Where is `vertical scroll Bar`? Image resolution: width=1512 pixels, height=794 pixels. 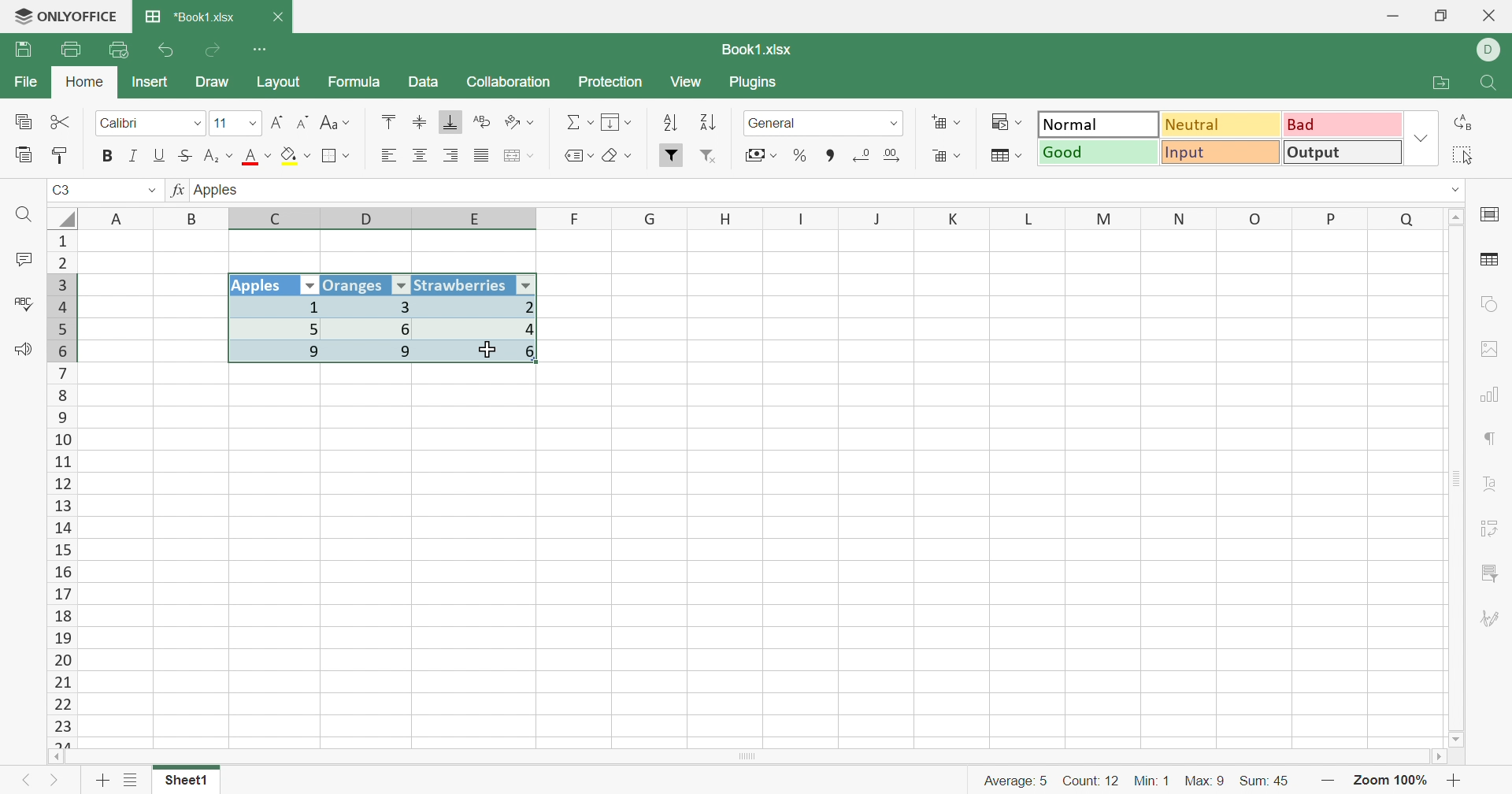
vertical scroll Bar is located at coordinates (1454, 477).